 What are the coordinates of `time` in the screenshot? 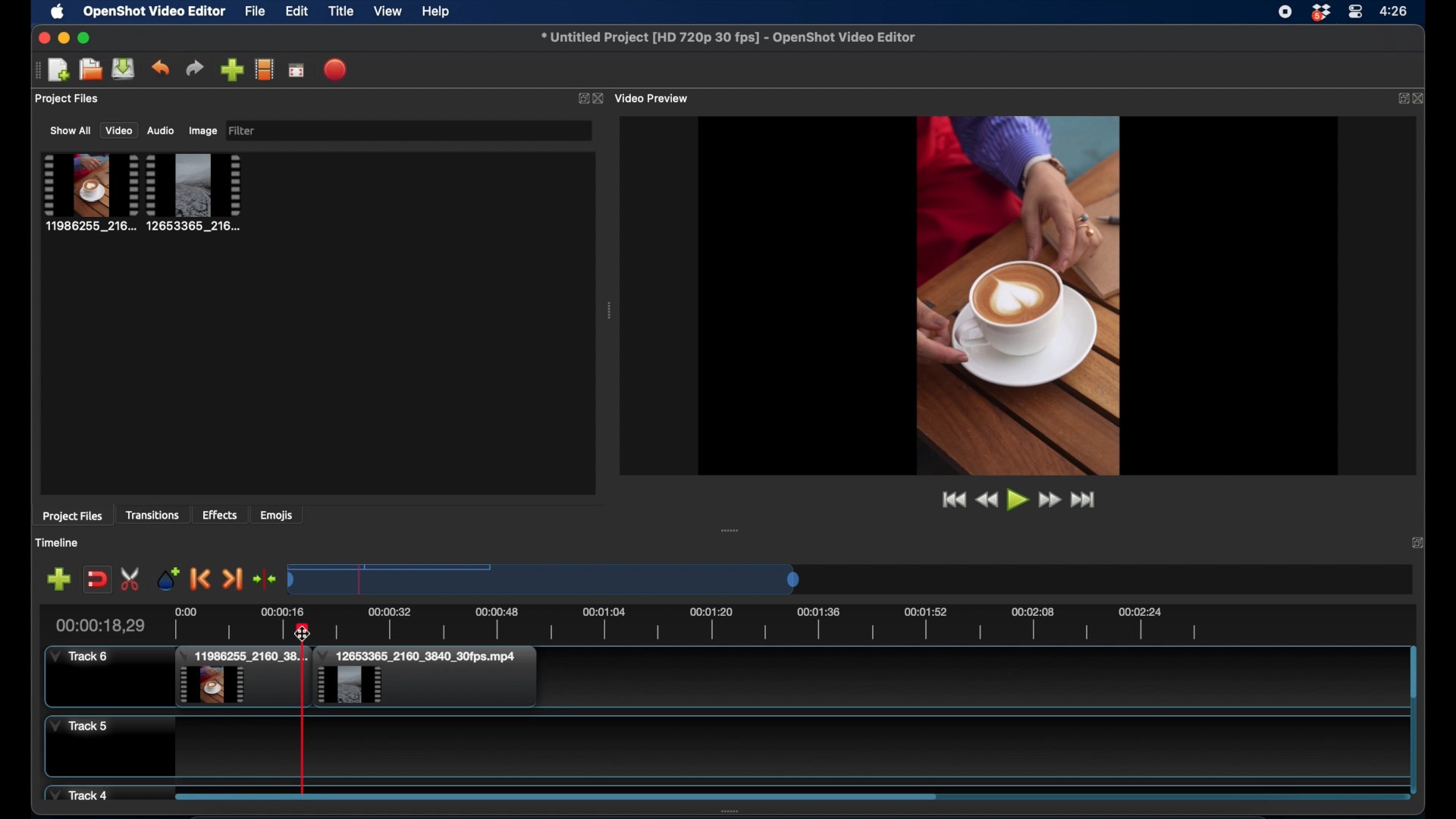 It's located at (1396, 10).